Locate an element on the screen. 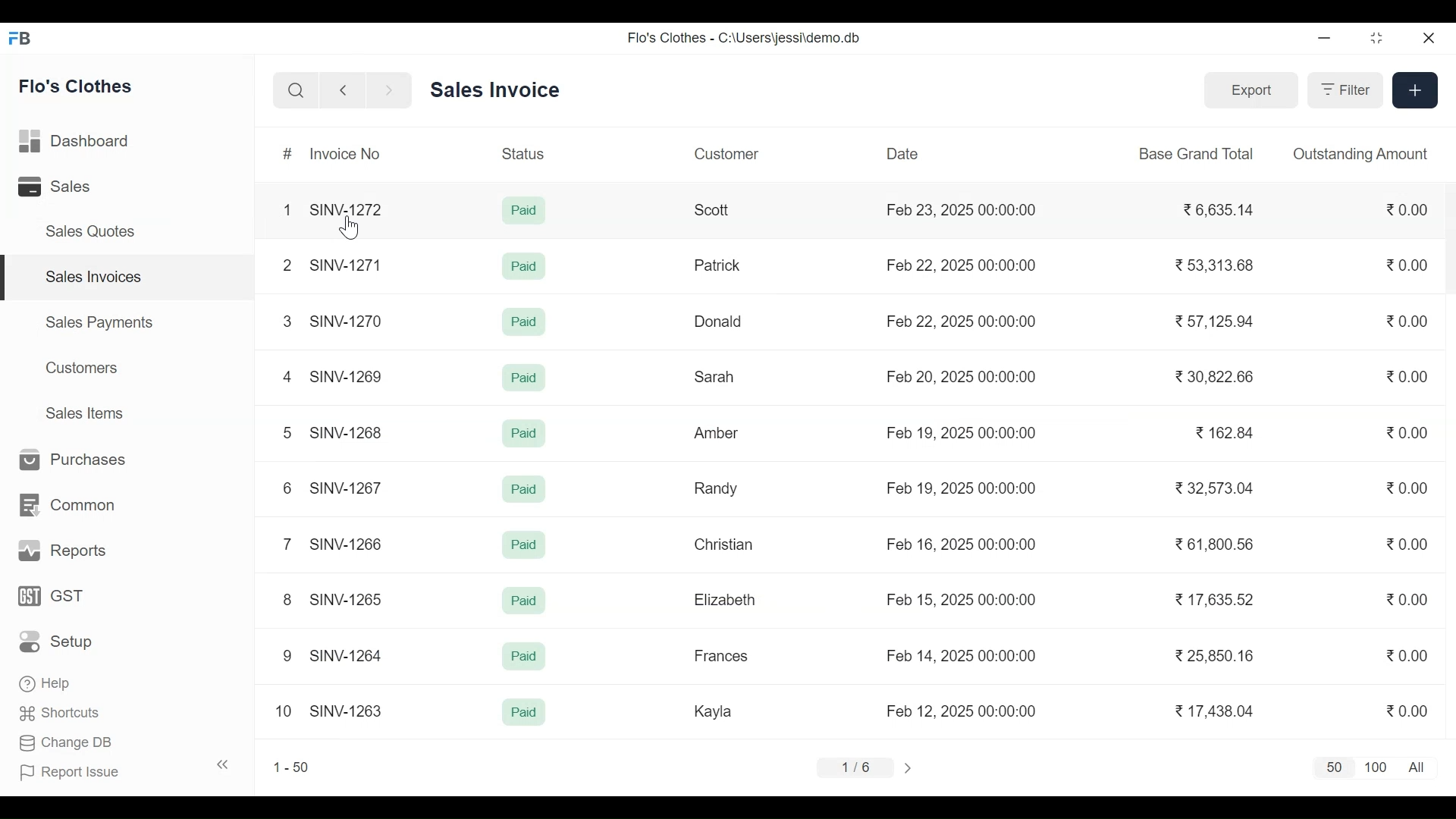 This screenshot has width=1456, height=819. Navigate Back is located at coordinates (342, 91).